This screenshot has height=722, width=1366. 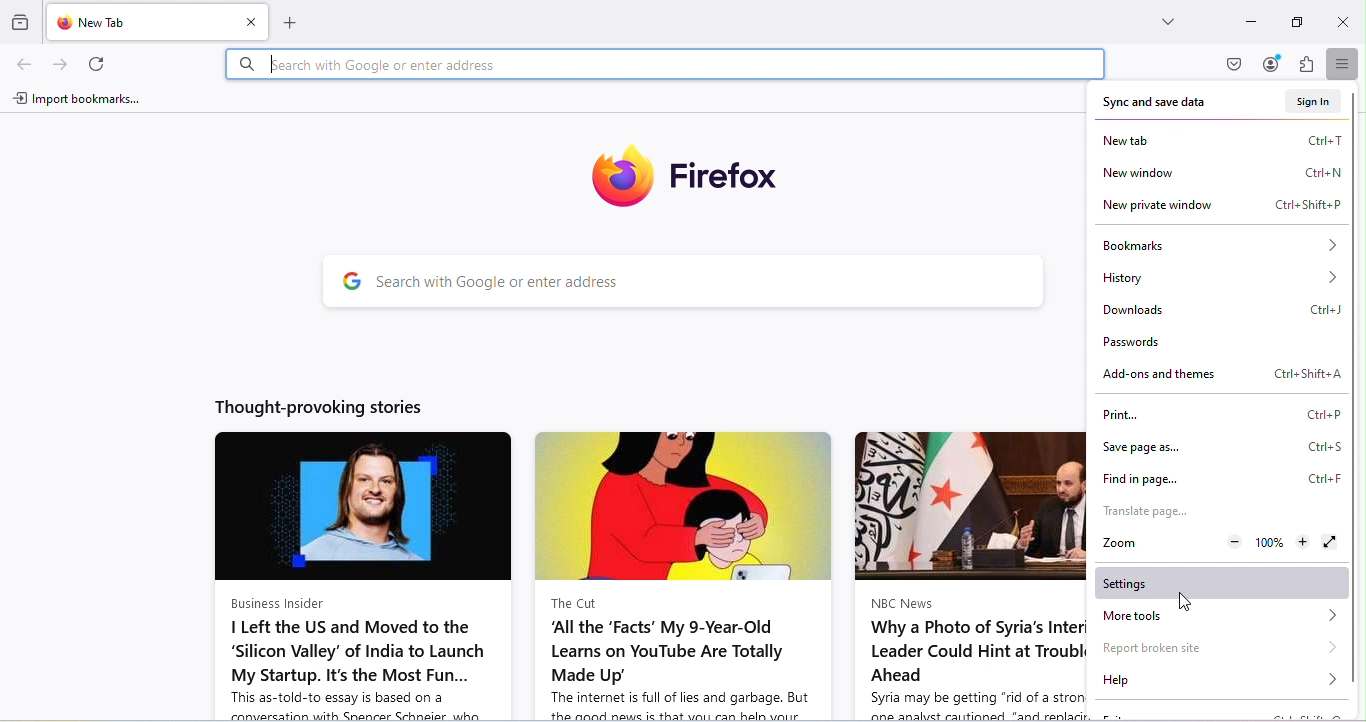 What do you see at coordinates (1217, 615) in the screenshot?
I see `More tools` at bounding box center [1217, 615].